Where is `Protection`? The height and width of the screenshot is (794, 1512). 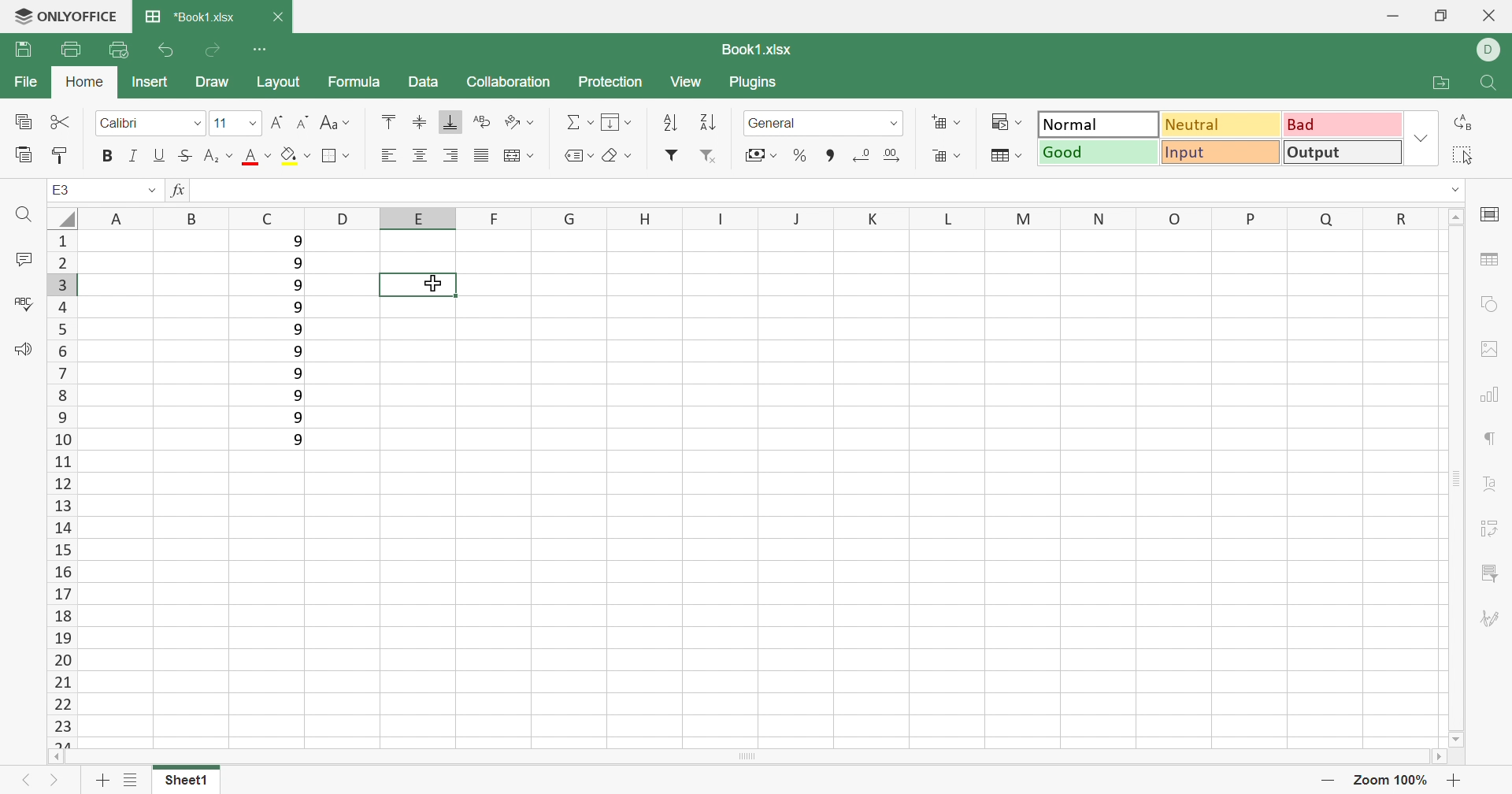 Protection is located at coordinates (617, 86).